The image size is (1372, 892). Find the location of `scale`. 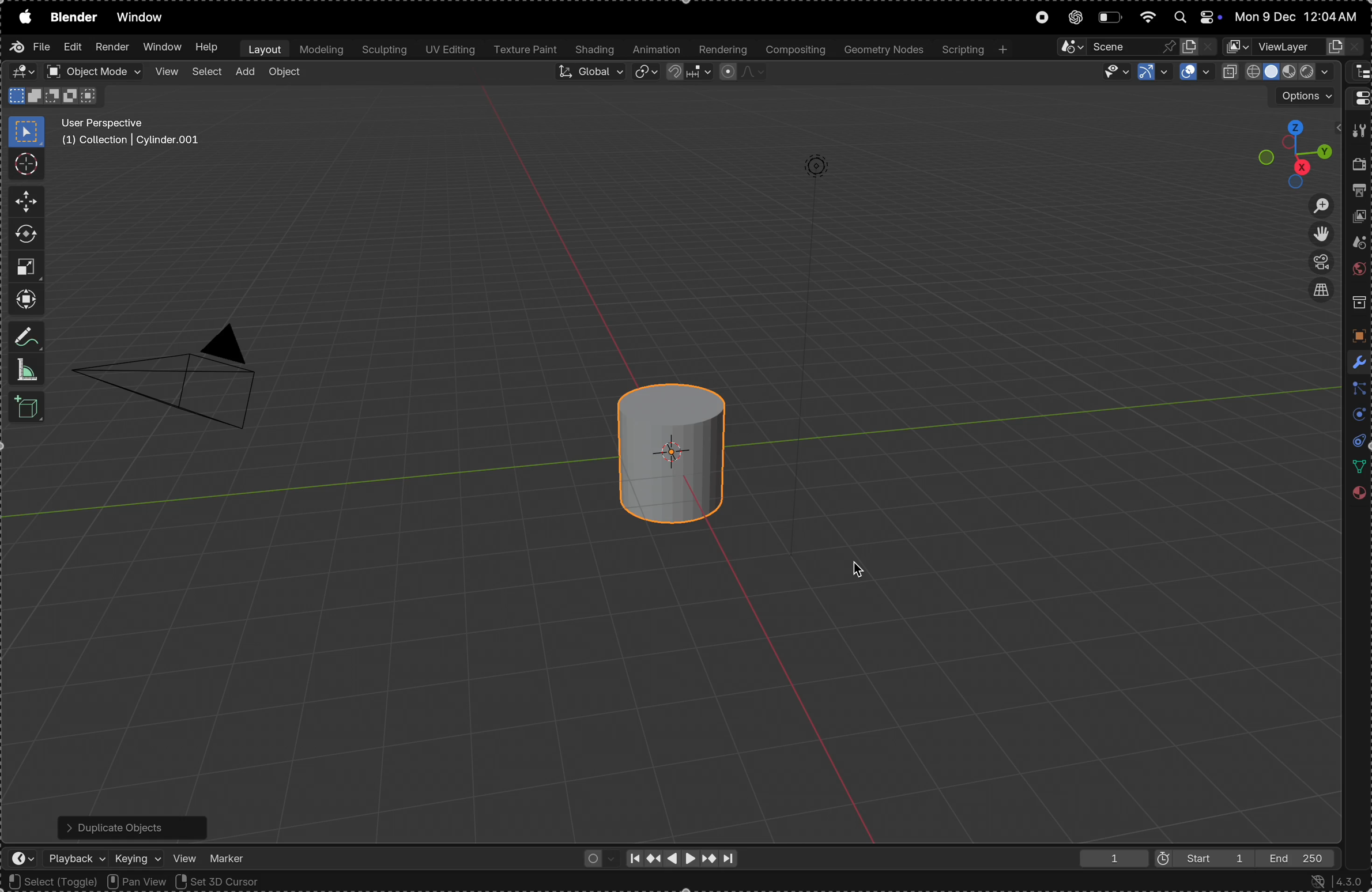

scale is located at coordinates (25, 266).